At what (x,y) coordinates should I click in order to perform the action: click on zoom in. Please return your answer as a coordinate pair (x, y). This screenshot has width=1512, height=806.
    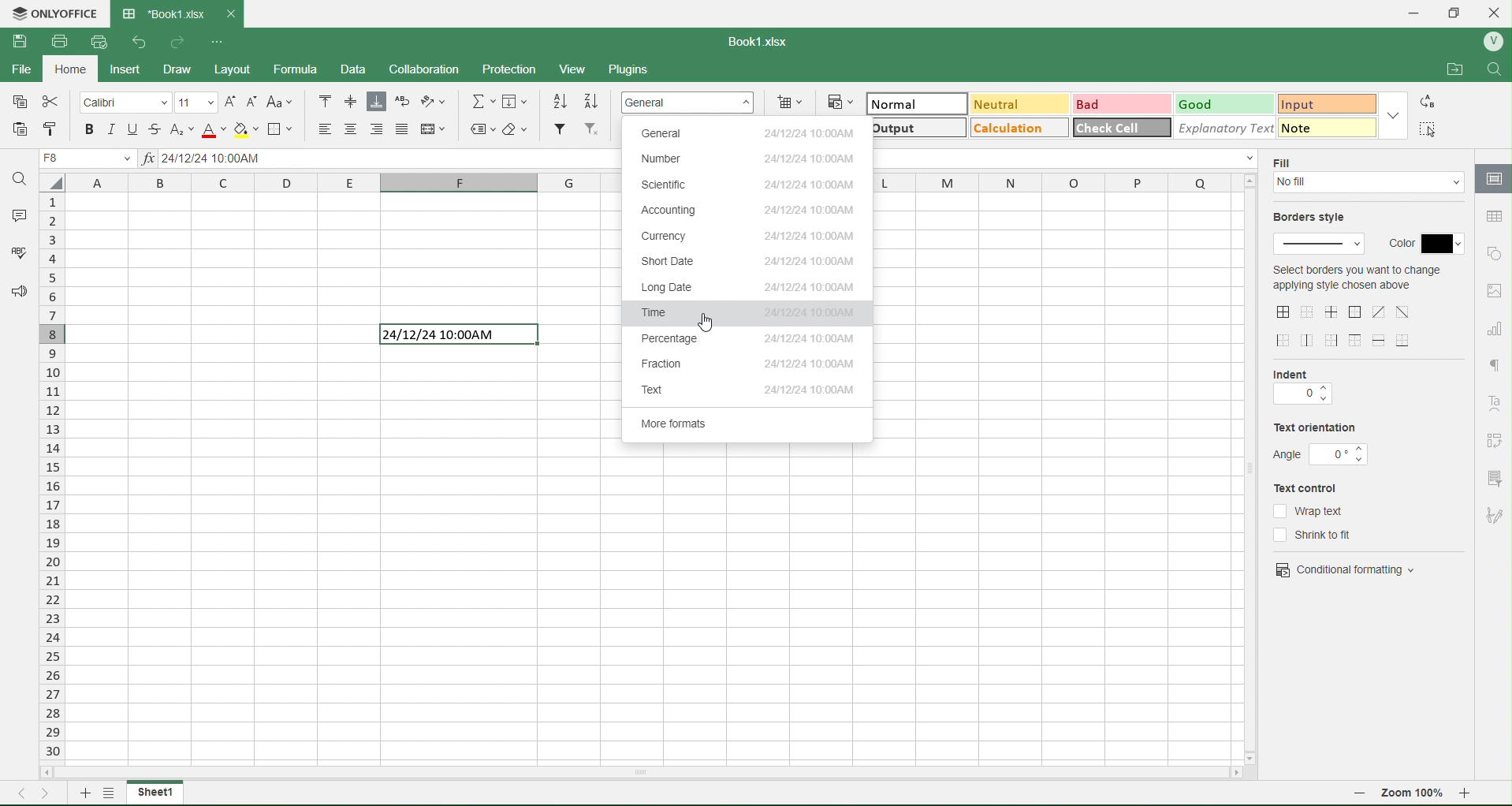
    Looking at the image, I should click on (1473, 797).